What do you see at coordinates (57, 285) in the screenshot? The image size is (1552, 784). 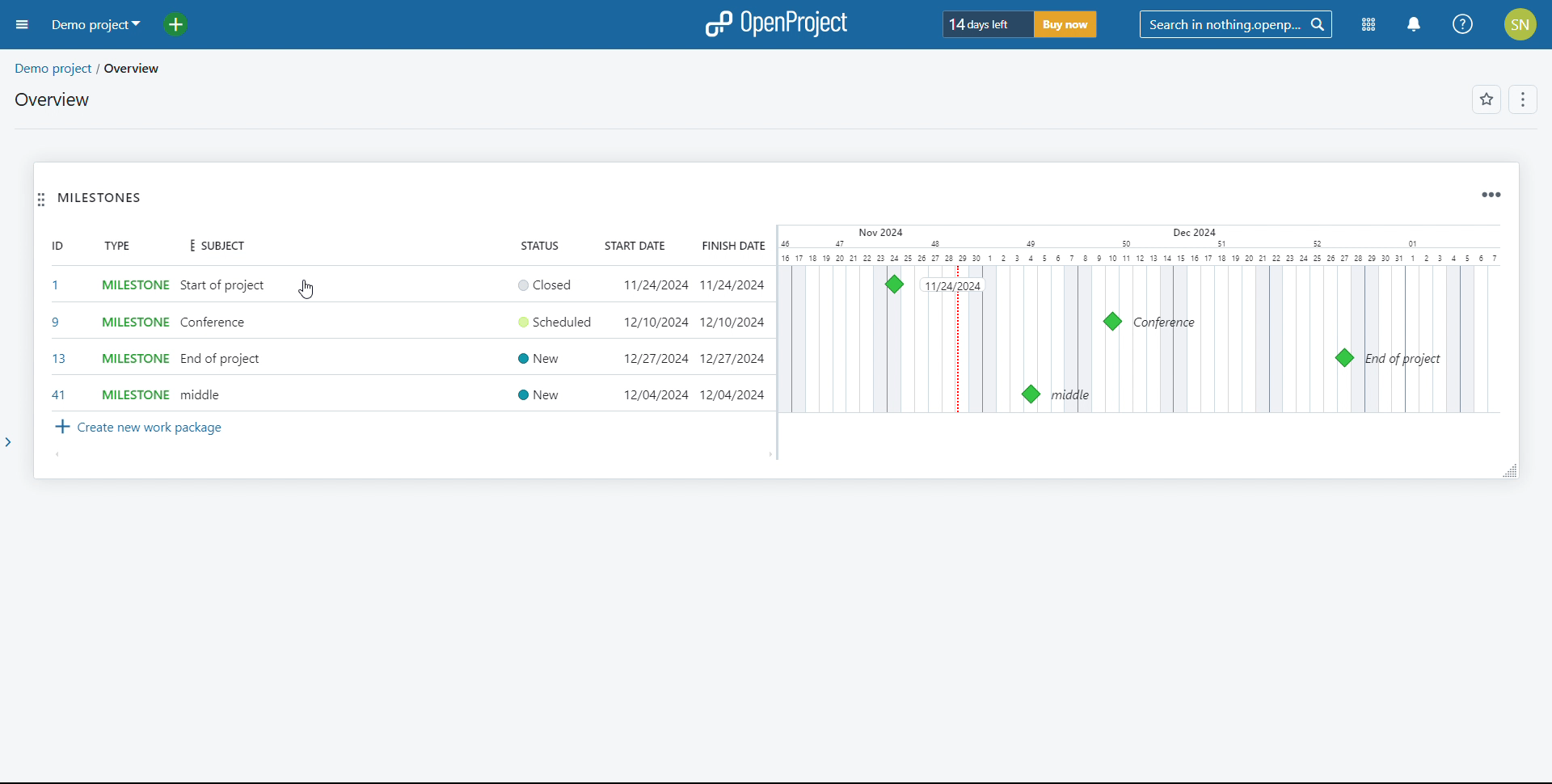 I see `1` at bounding box center [57, 285].